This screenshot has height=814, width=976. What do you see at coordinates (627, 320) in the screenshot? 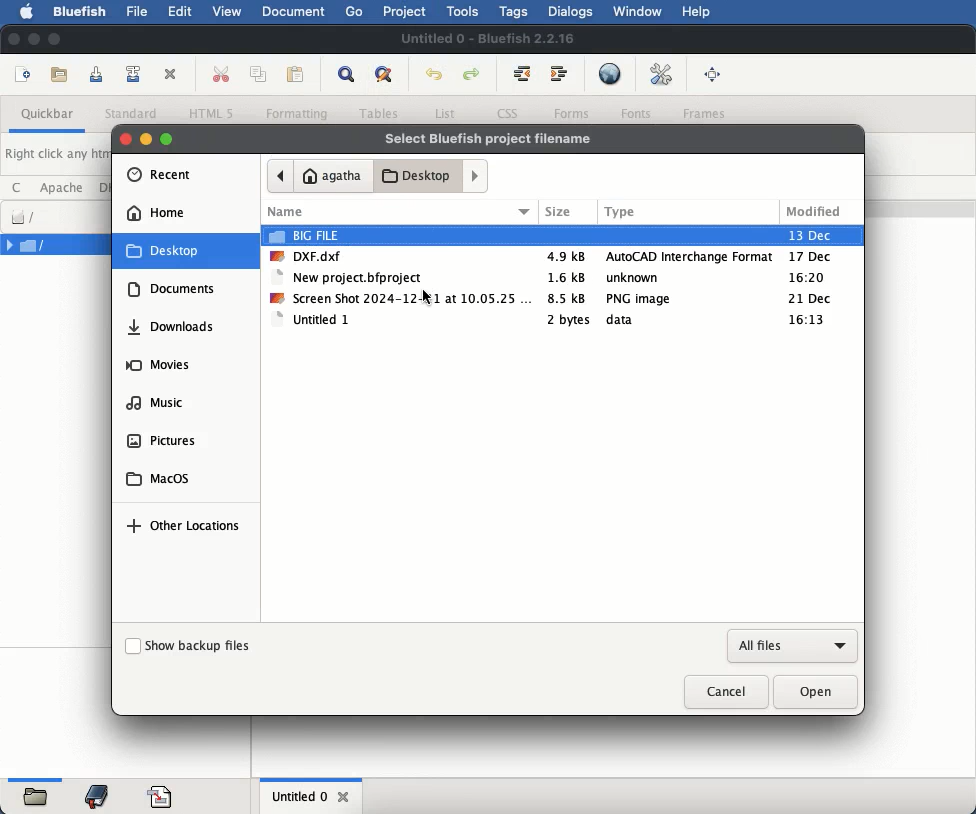
I see `data` at bounding box center [627, 320].